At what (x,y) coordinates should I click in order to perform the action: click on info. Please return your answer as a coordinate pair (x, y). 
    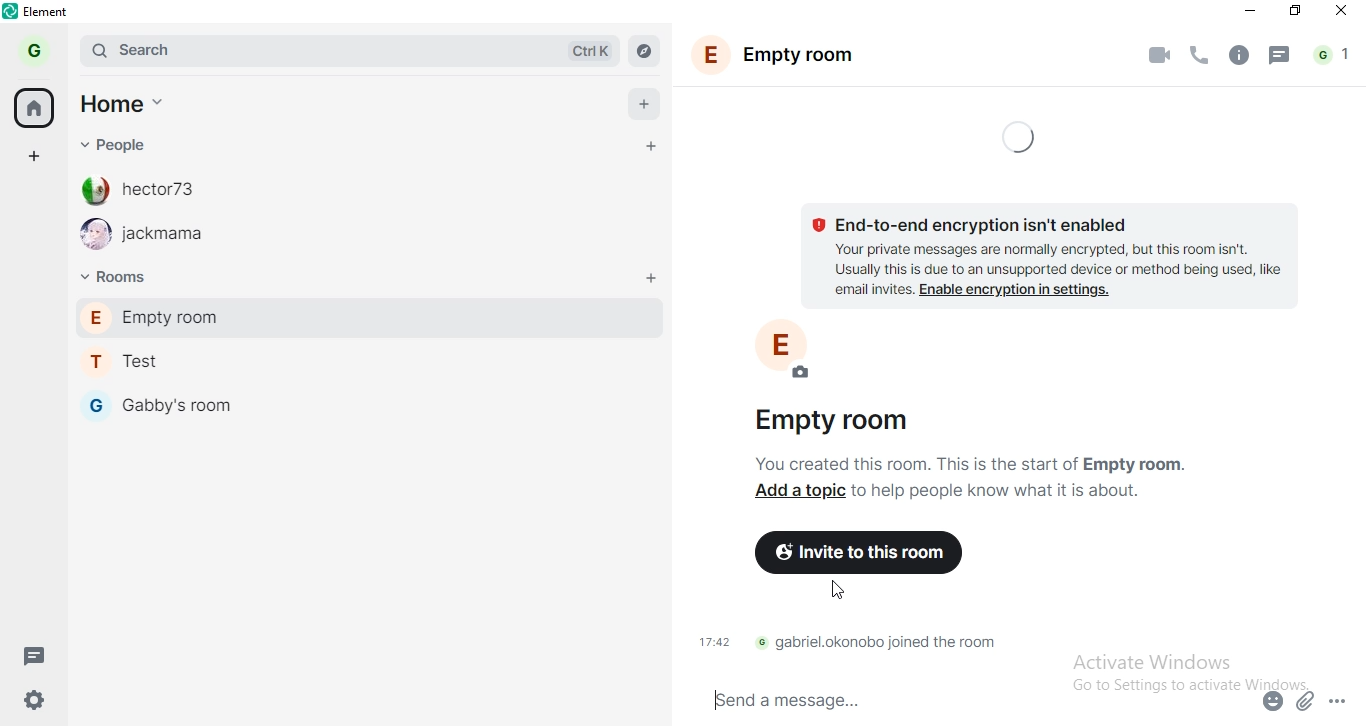
    Looking at the image, I should click on (1239, 55).